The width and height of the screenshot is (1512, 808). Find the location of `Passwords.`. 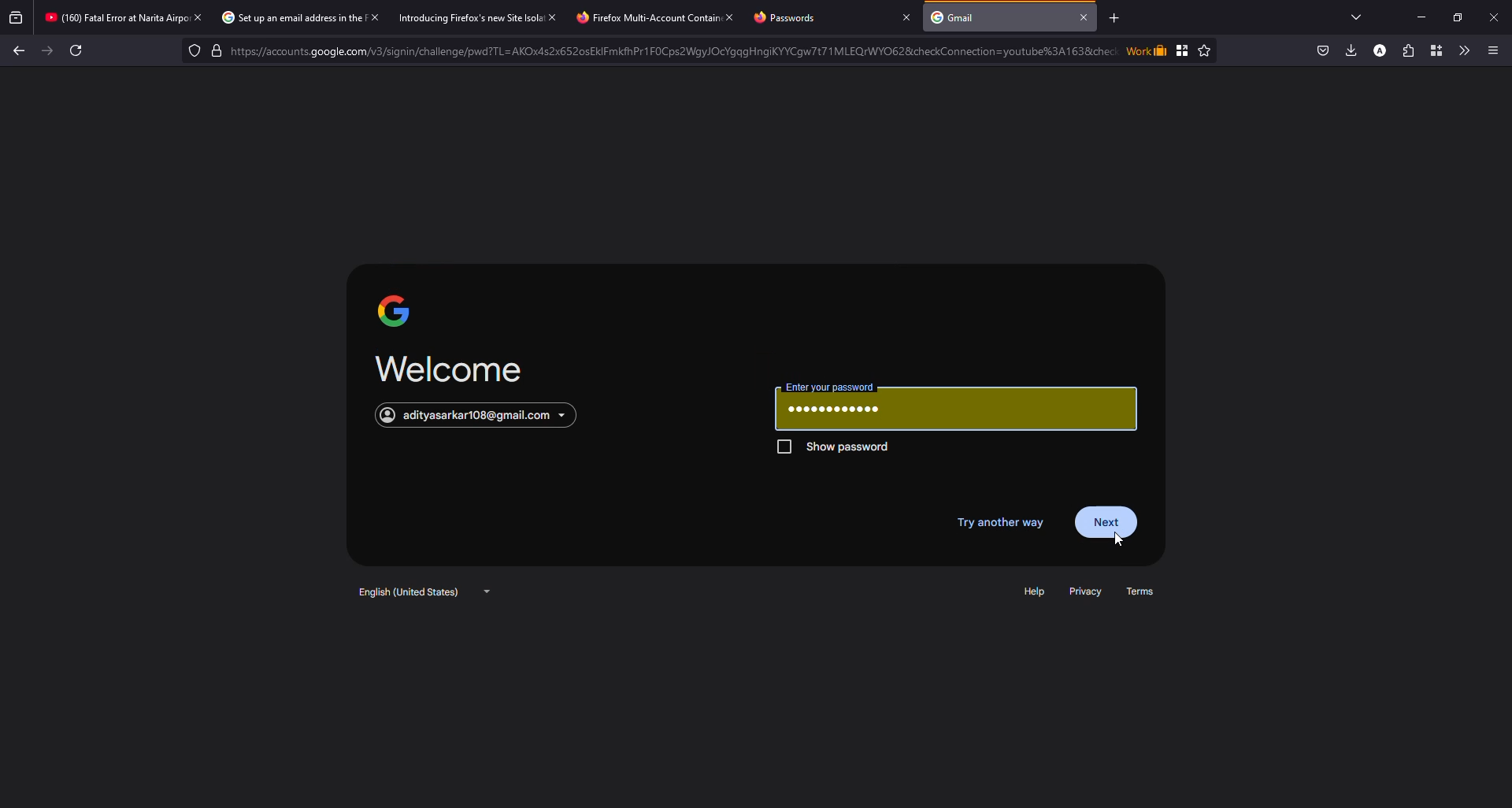

Passwords. is located at coordinates (793, 16).